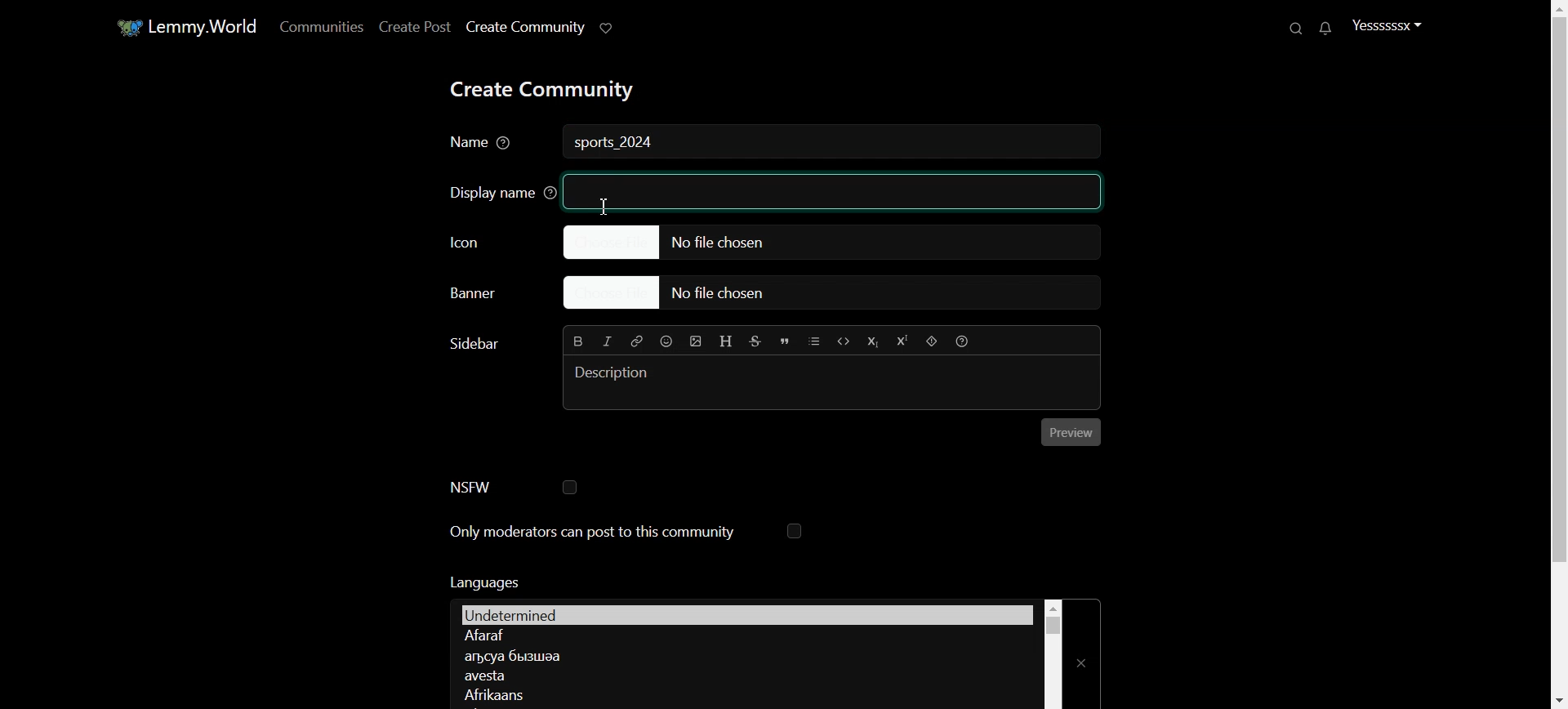  Describe the element at coordinates (831, 241) in the screenshot. I see `Choose file` at that location.